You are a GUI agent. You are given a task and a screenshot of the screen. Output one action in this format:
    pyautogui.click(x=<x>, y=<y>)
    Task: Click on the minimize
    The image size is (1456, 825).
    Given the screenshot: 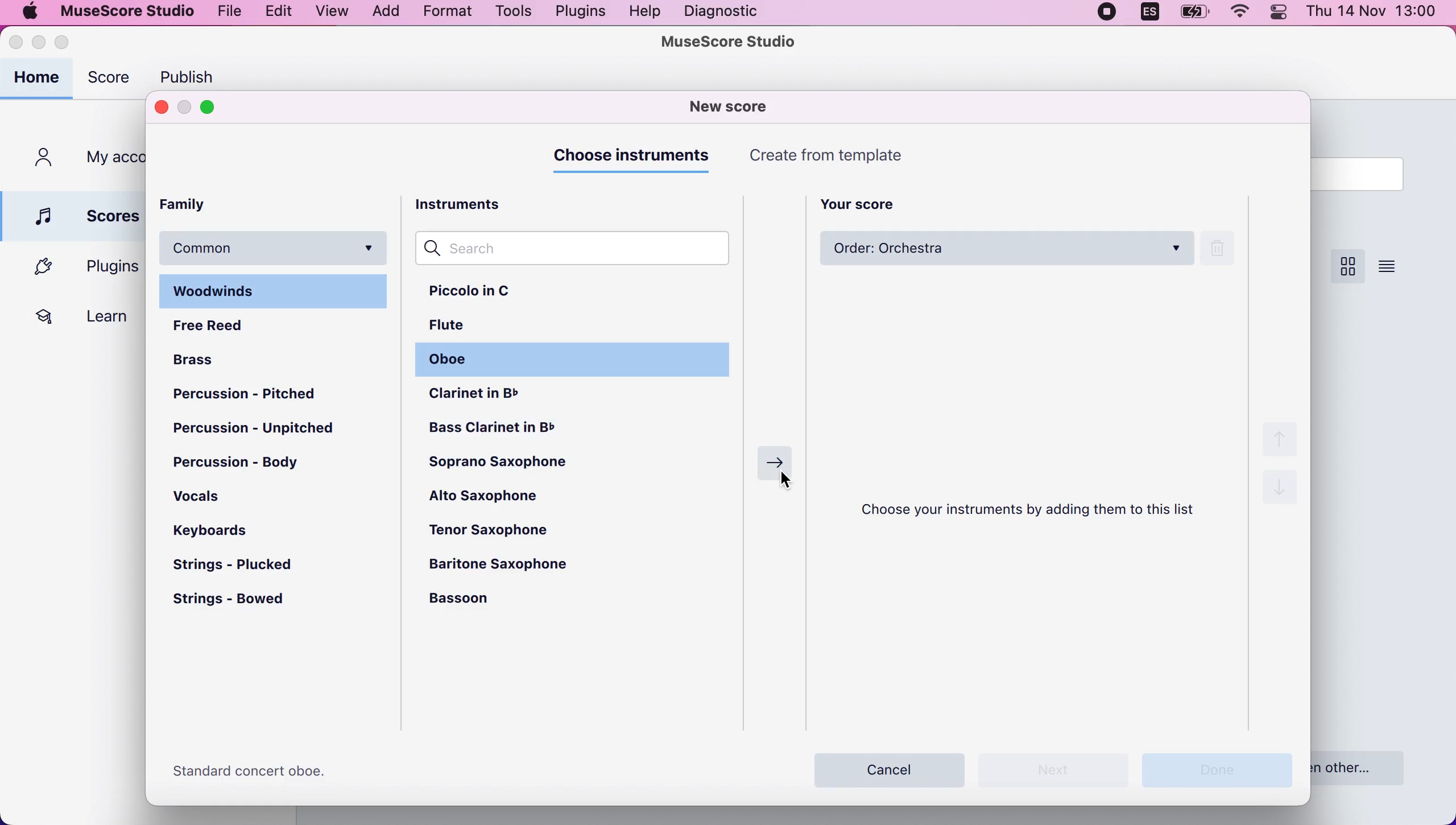 What is the action you would take?
    pyautogui.click(x=40, y=44)
    